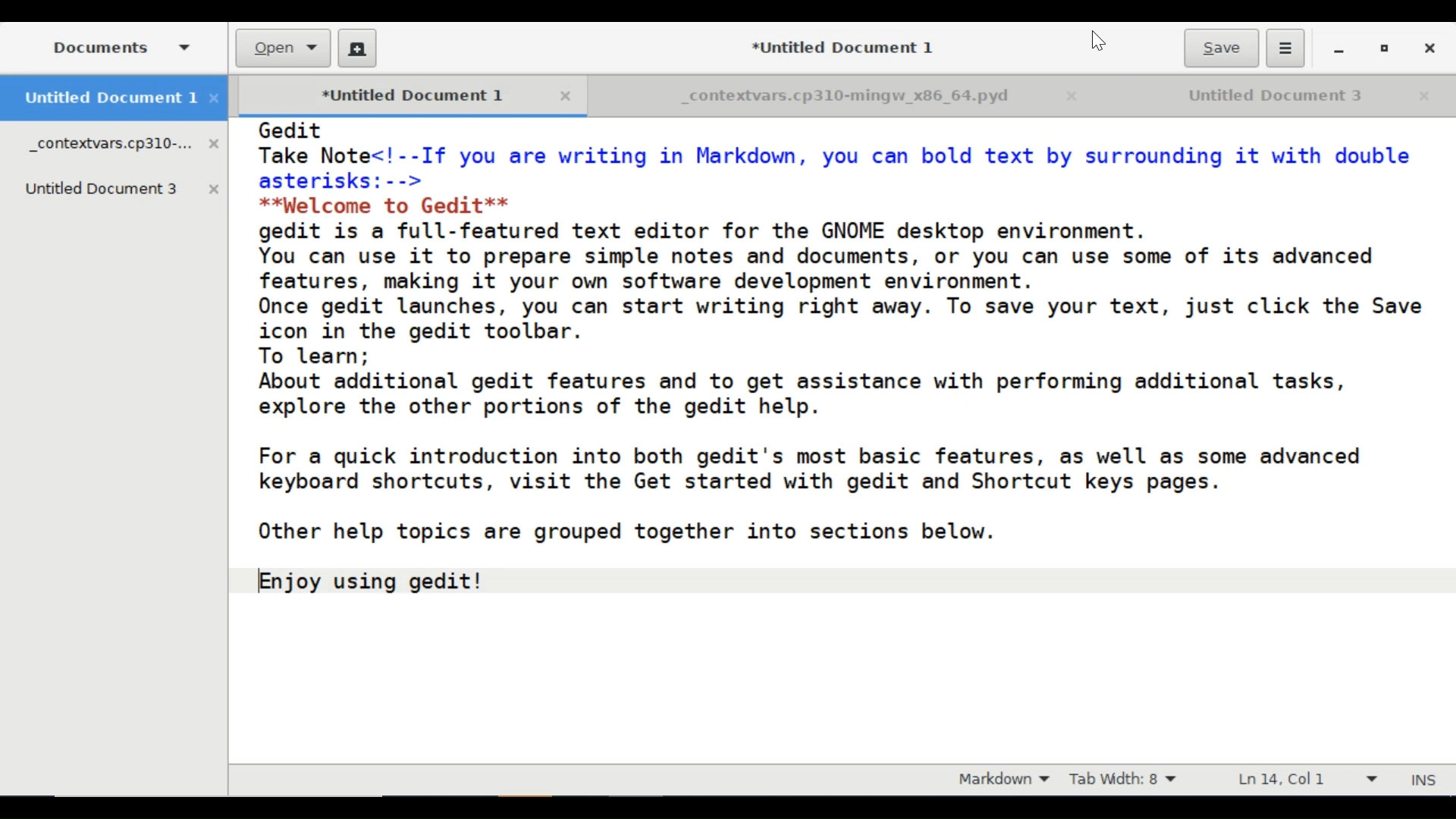 This screenshot has width=1456, height=819. What do you see at coordinates (1255, 96) in the screenshot?
I see `Untitled Document Tab` at bounding box center [1255, 96].